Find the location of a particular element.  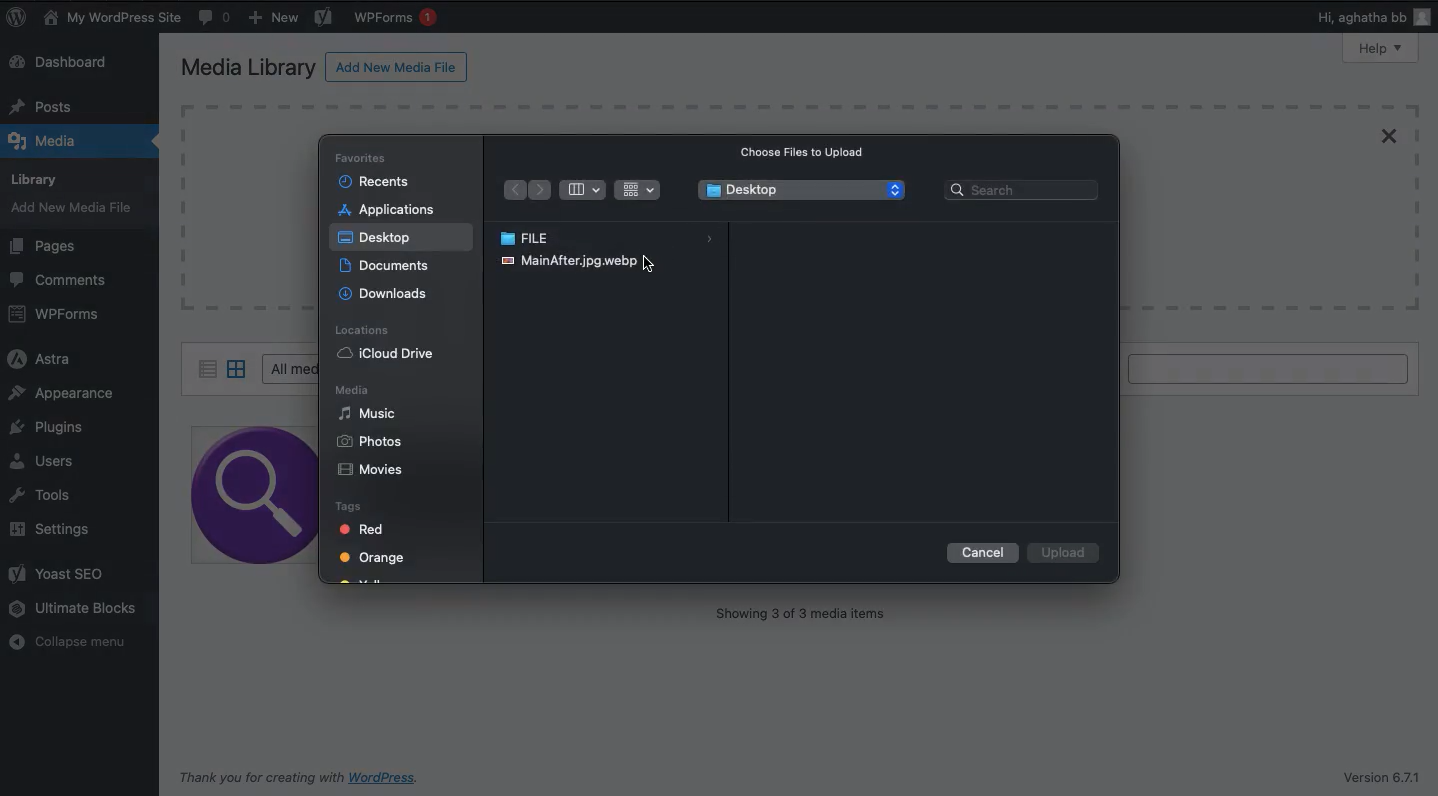

Desktop is located at coordinates (803, 189).